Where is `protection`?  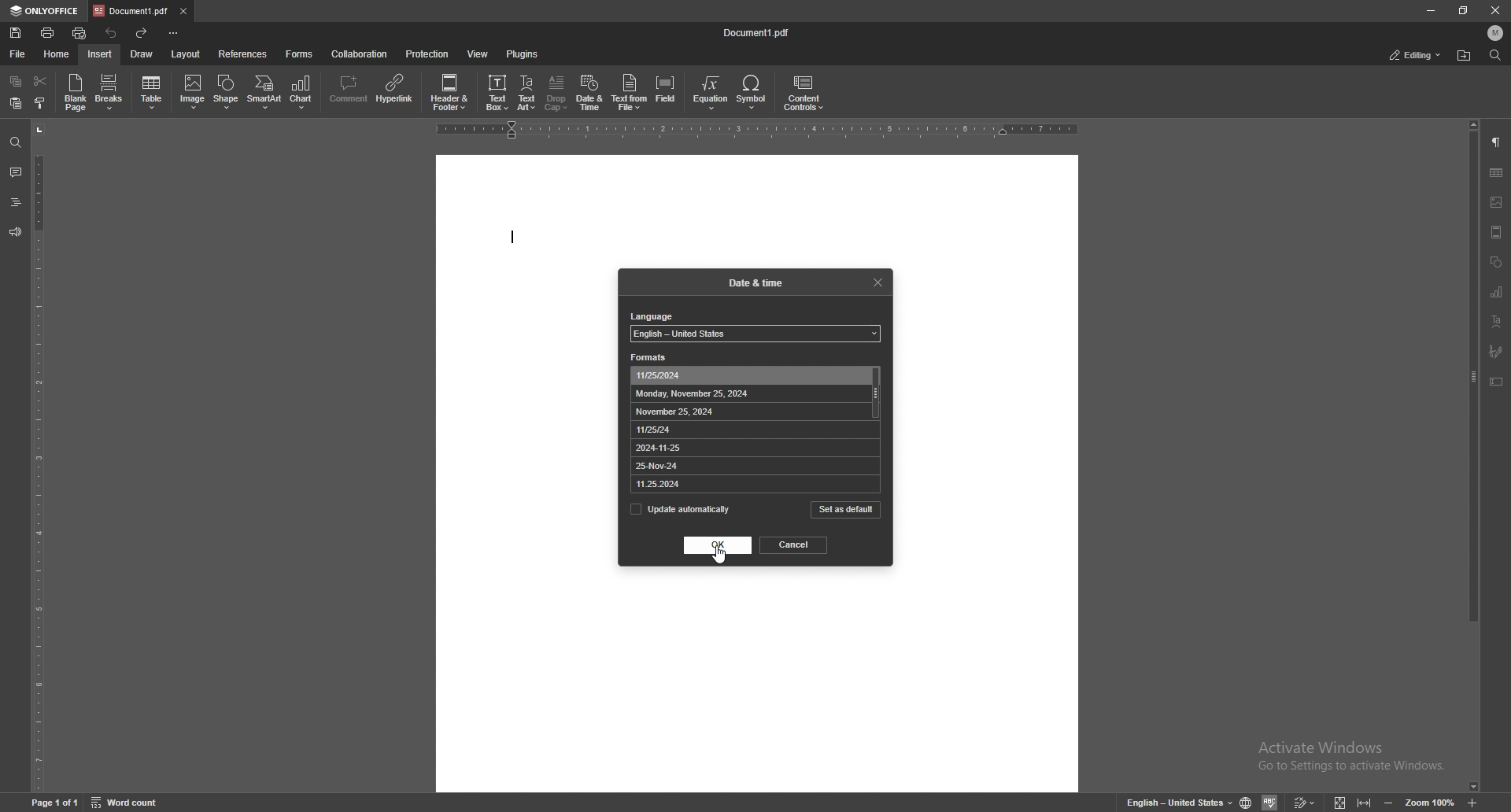 protection is located at coordinates (428, 54).